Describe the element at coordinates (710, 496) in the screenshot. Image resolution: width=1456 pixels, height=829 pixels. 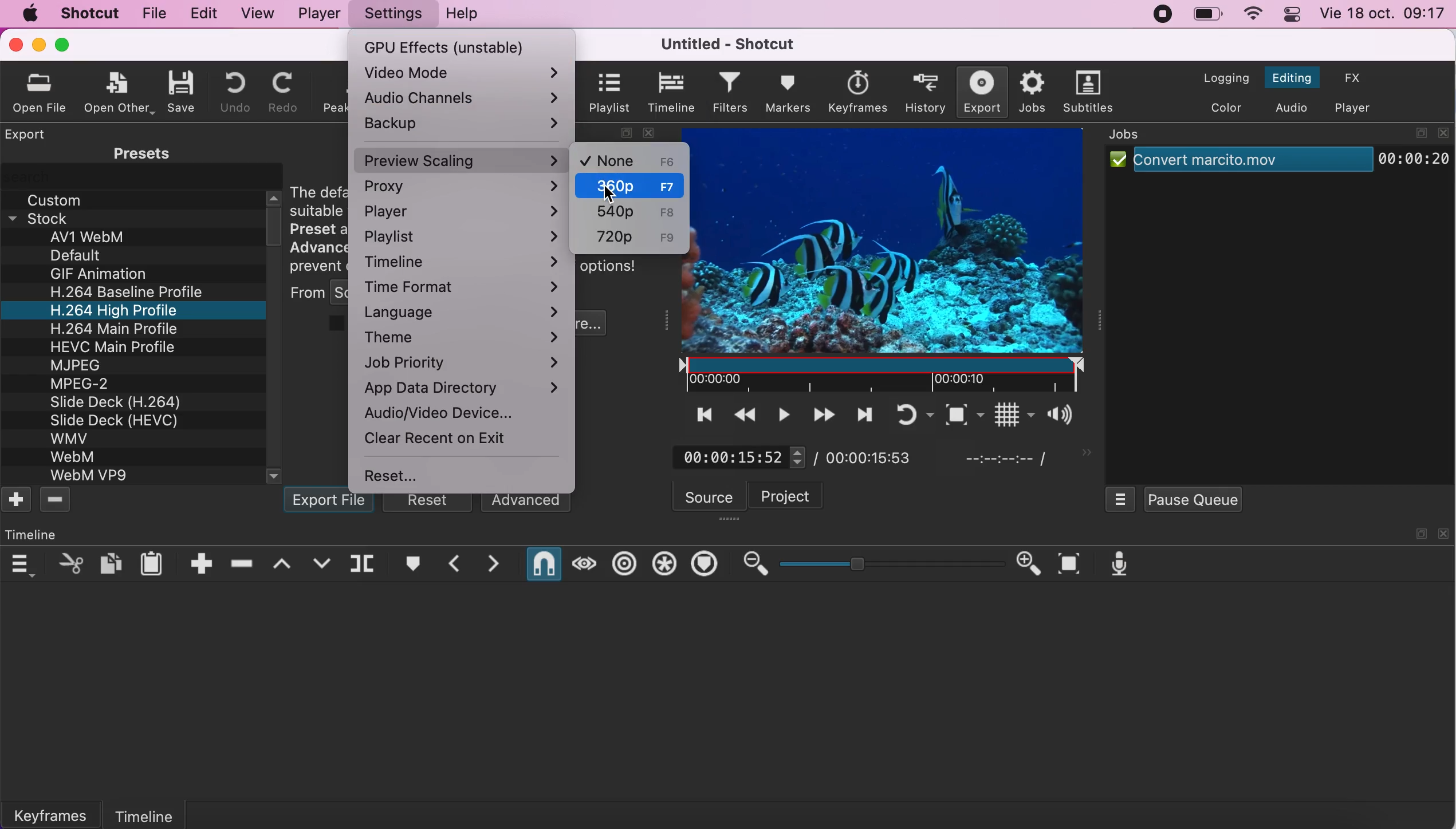
I see `source` at that location.